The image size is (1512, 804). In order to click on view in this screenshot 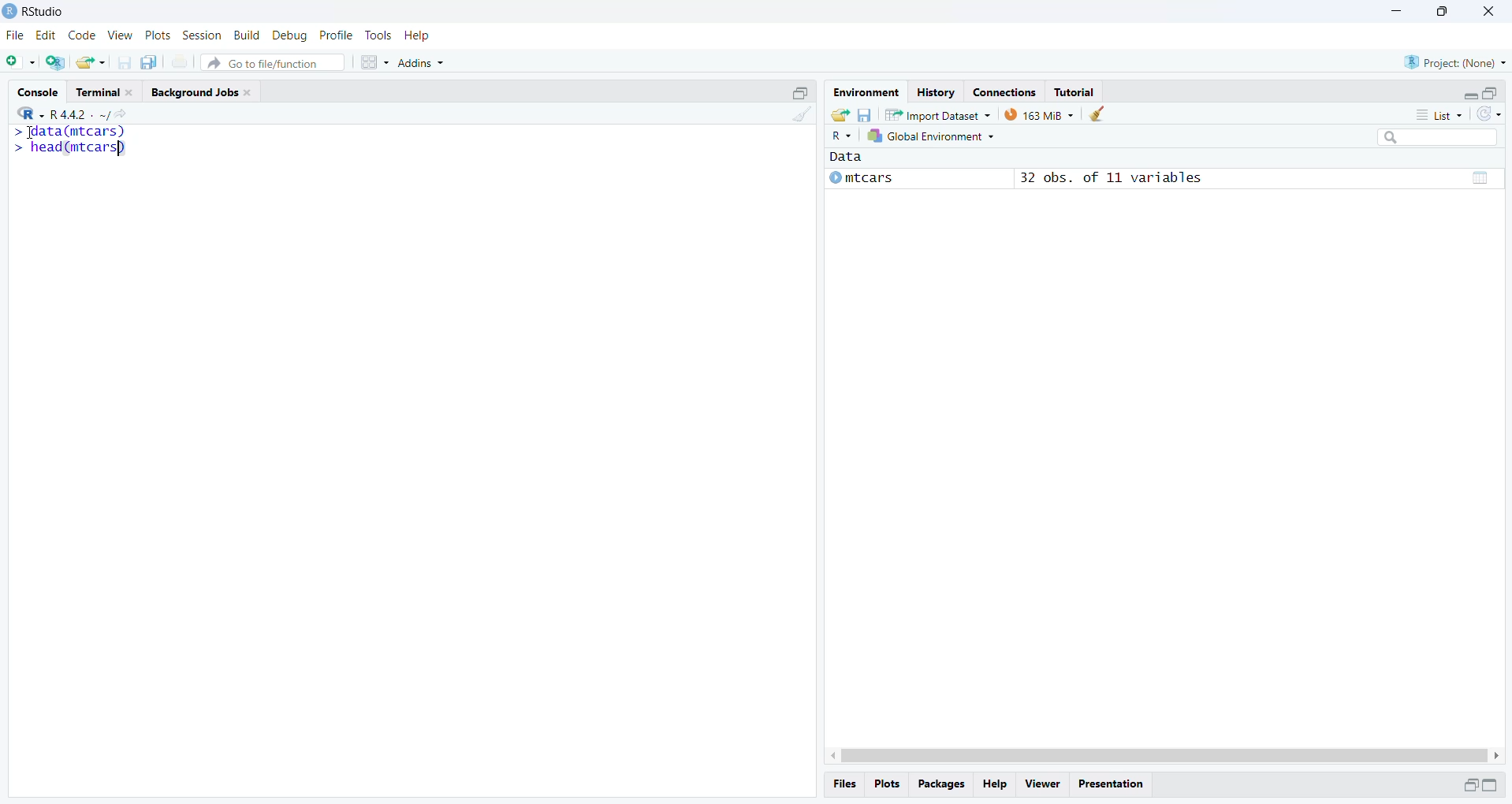, I will do `click(121, 35)`.